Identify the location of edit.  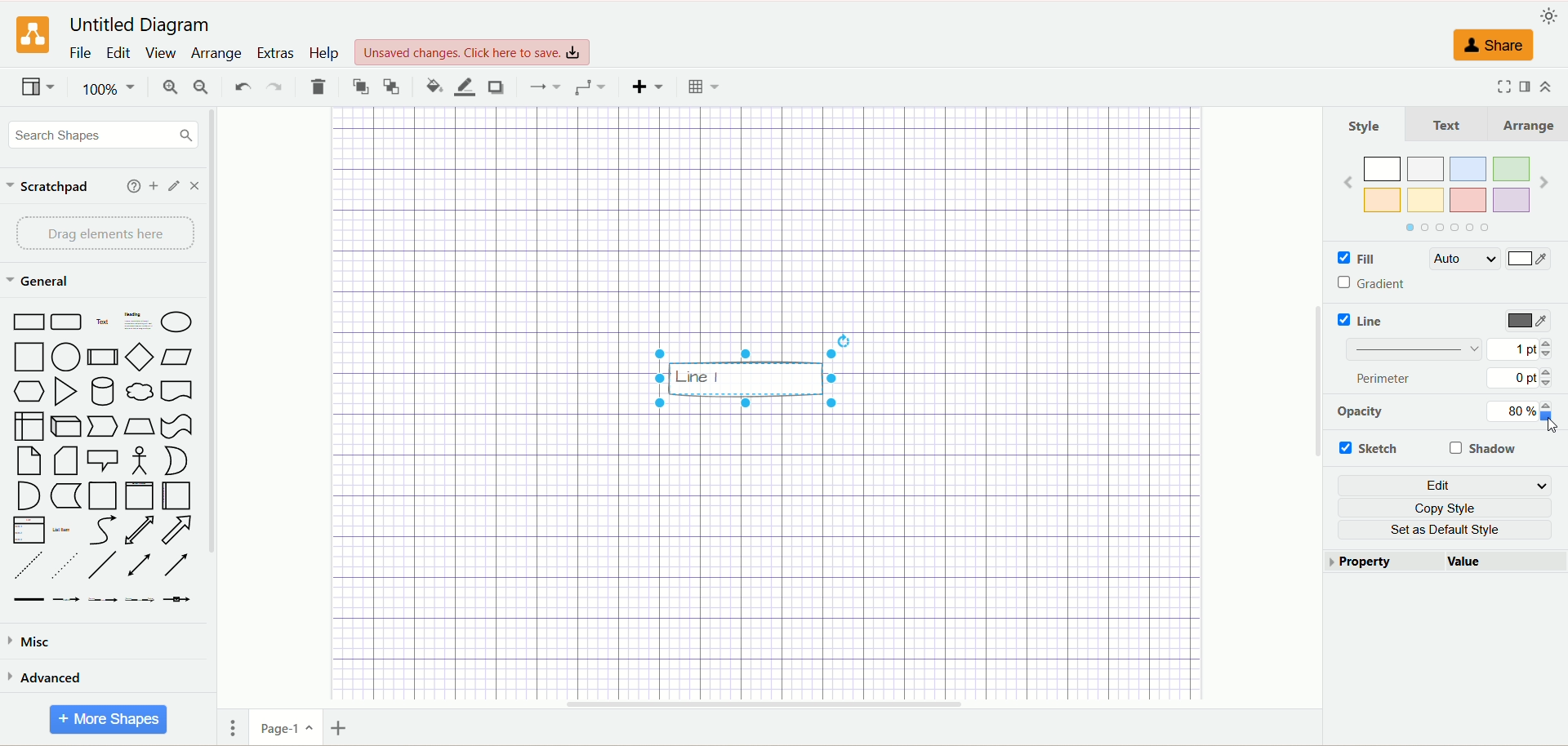
(1443, 484).